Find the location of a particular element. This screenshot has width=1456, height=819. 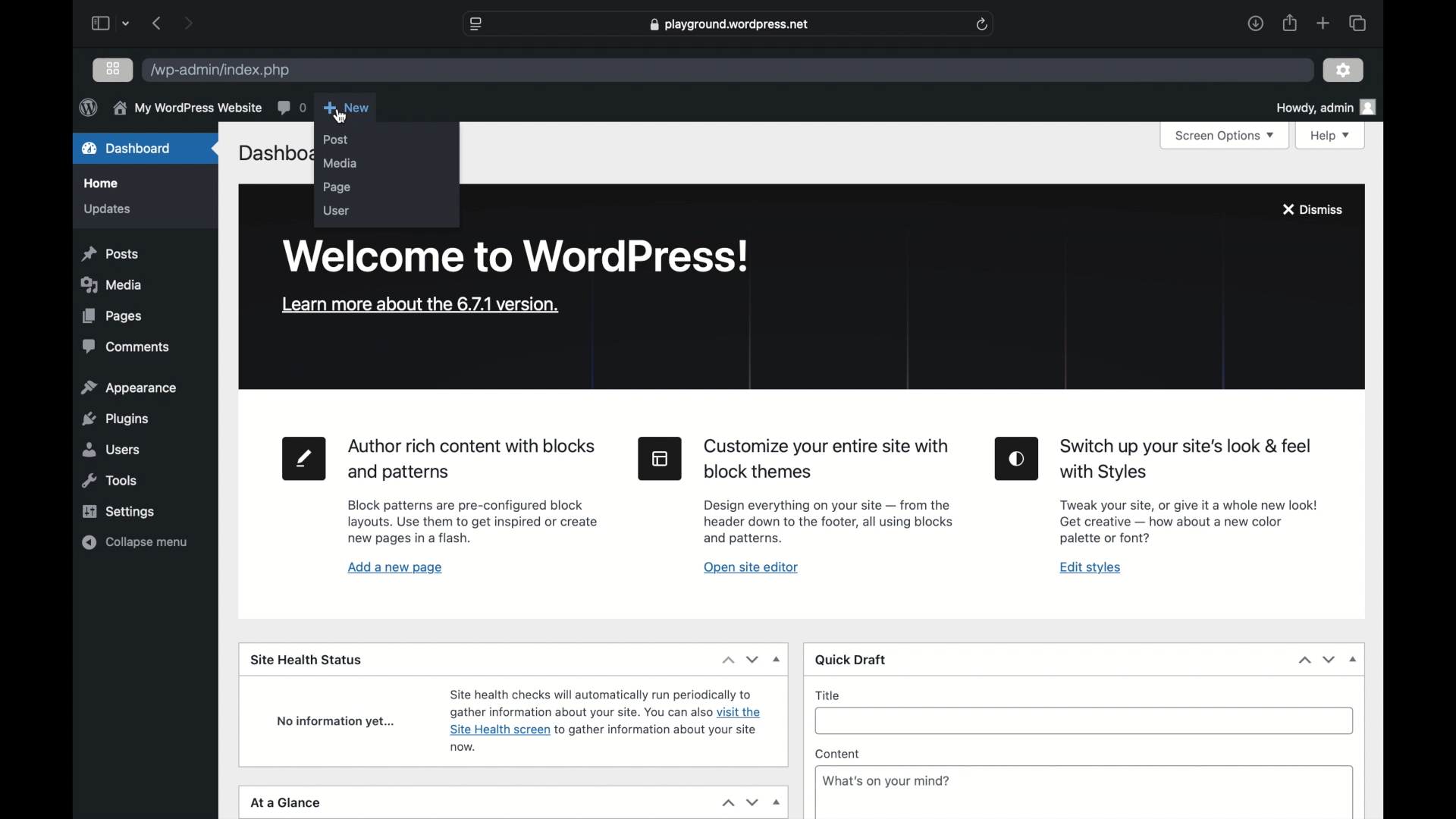

downloads is located at coordinates (1255, 23).